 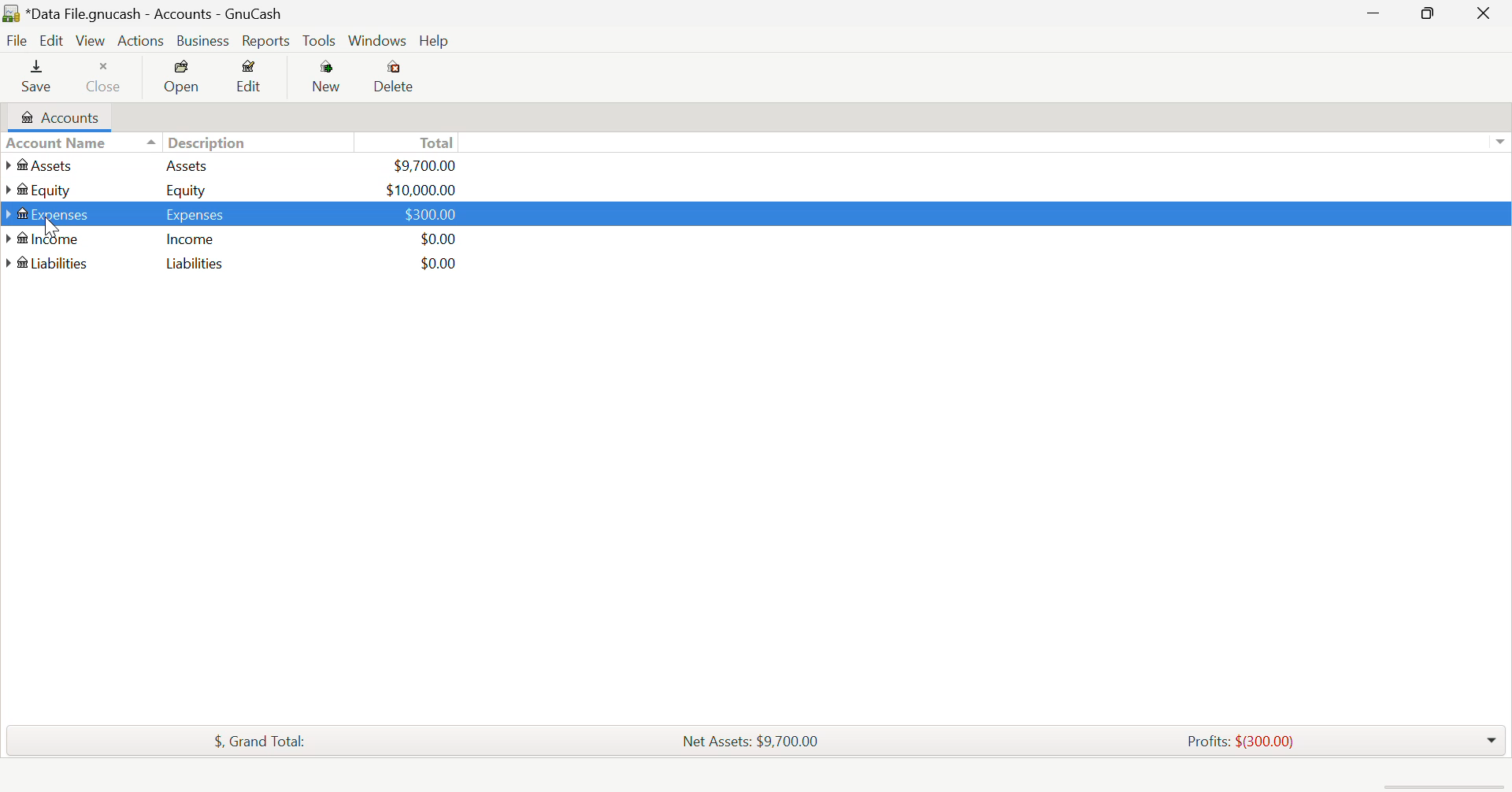 I want to click on Open, so click(x=183, y=77).